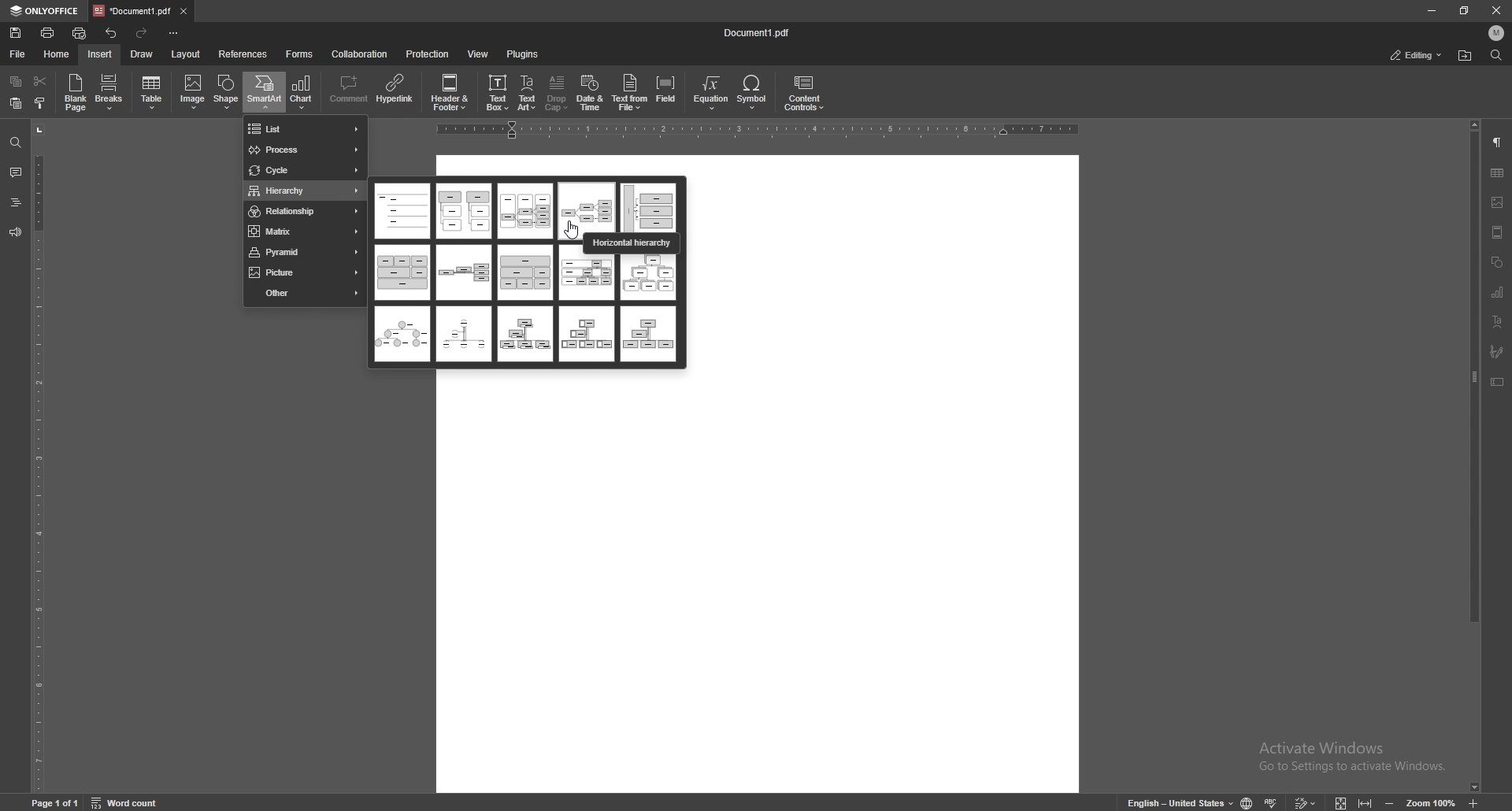  What do you see at coordinates (305, 272) in the screenshot?
I see `picture` at bounding box center [305, 272].